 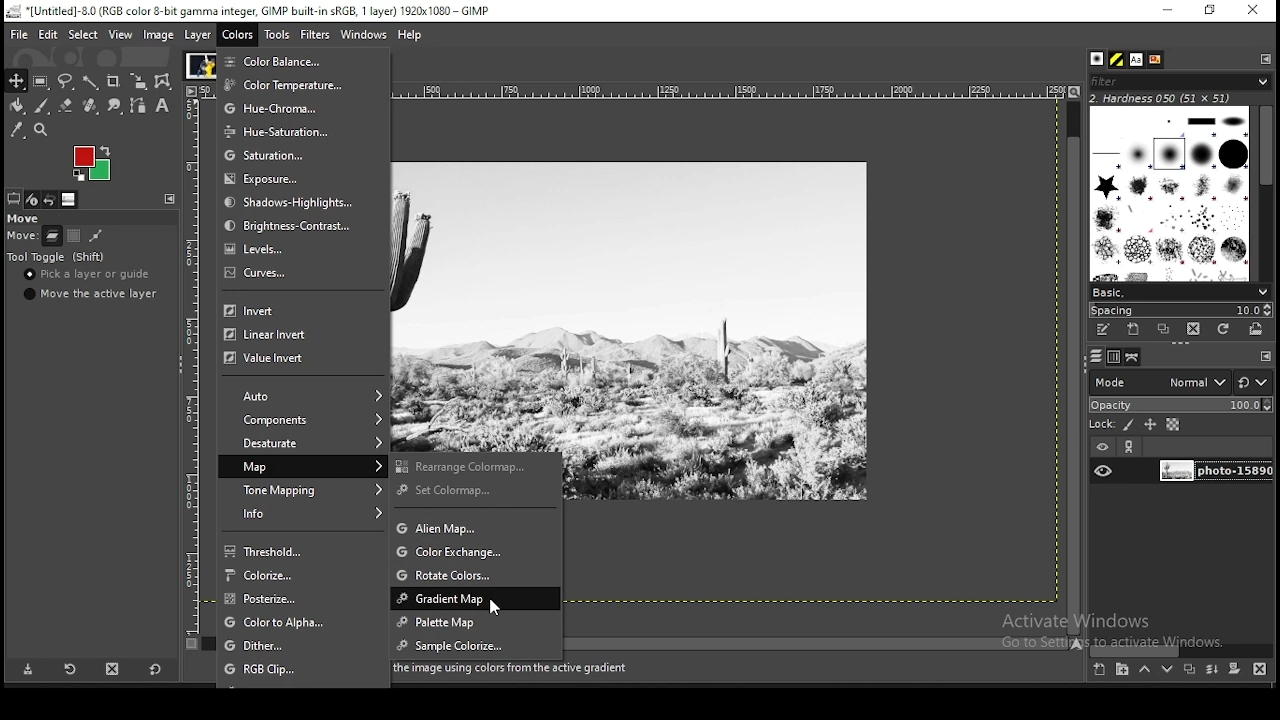 I want to click on layer, so click(x=1213, y=472).